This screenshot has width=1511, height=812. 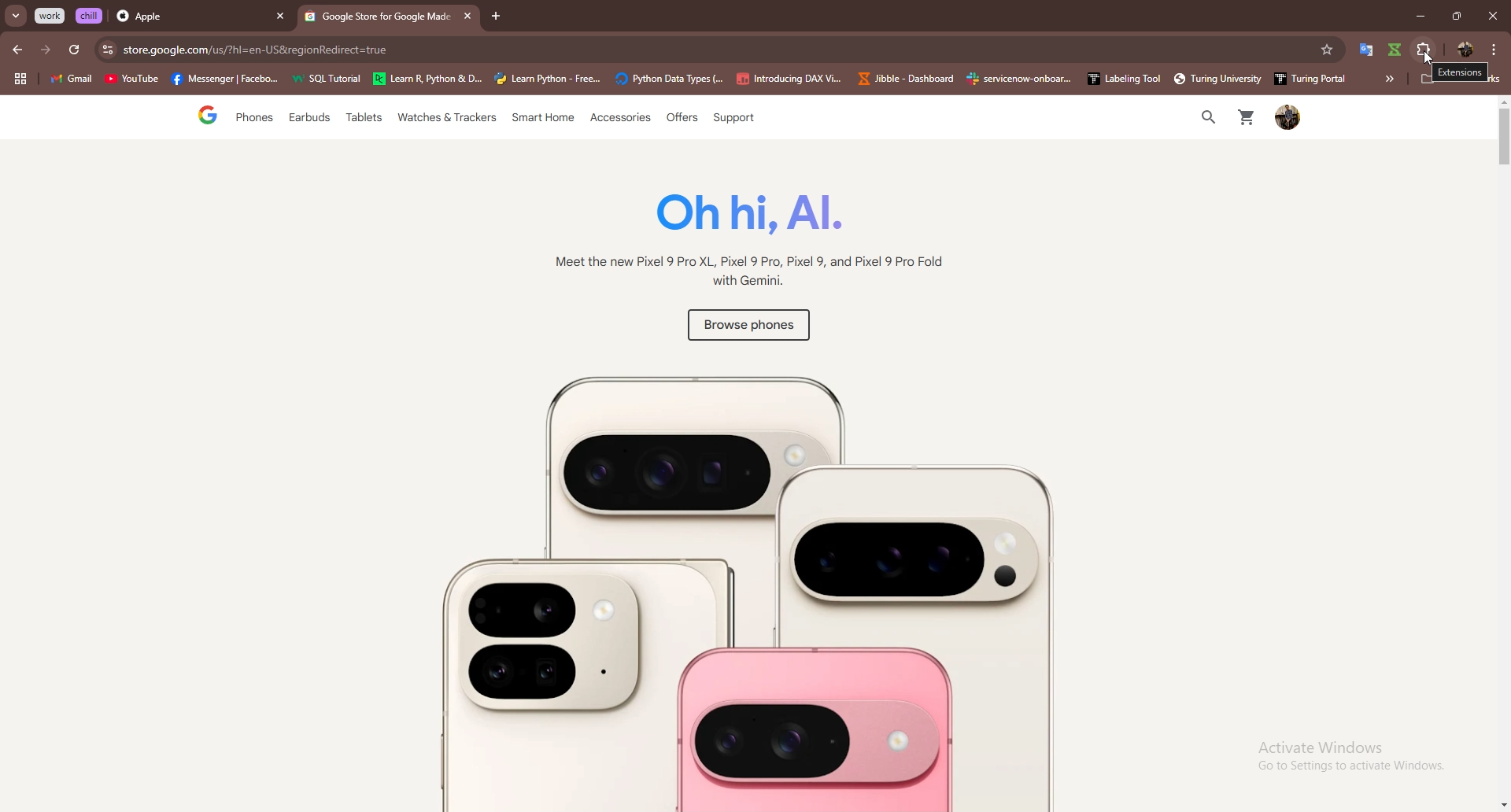 What do you see at coordinates (91, 15) in the screenshot?
I see `chill` at bounding box center [91, 15].